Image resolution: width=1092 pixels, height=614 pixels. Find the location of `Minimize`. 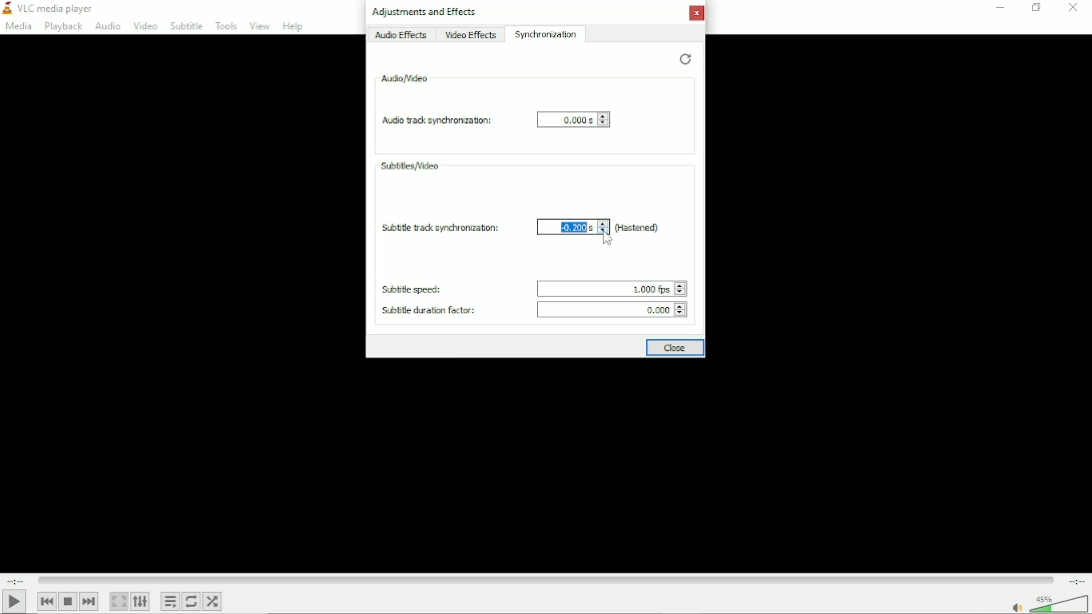

Minimize is located at coordinates (1000, 7).